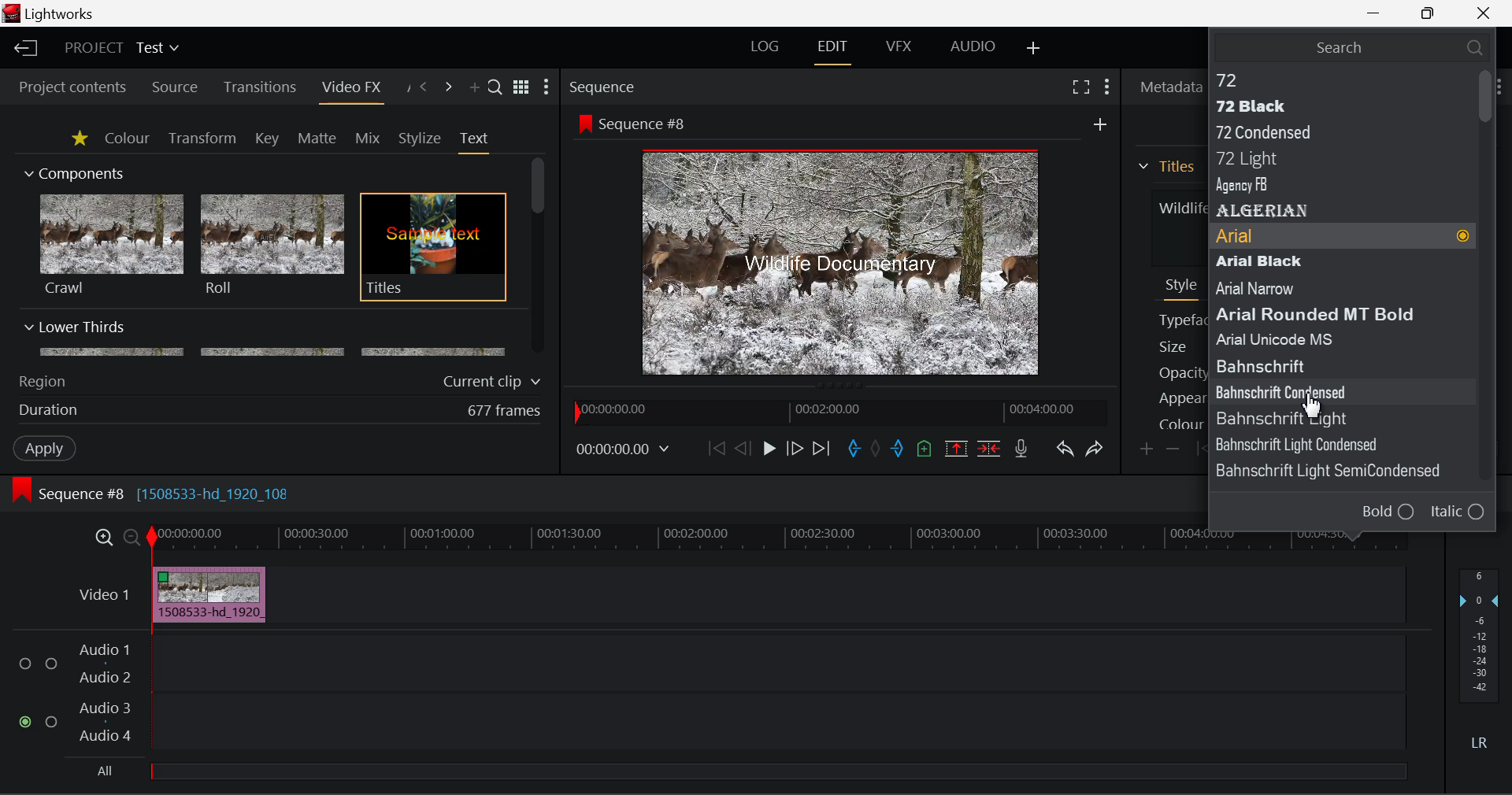  Describe the element at coordinates (350, 89) in the screenshot. I see `Video FX Panel Open` at that location.